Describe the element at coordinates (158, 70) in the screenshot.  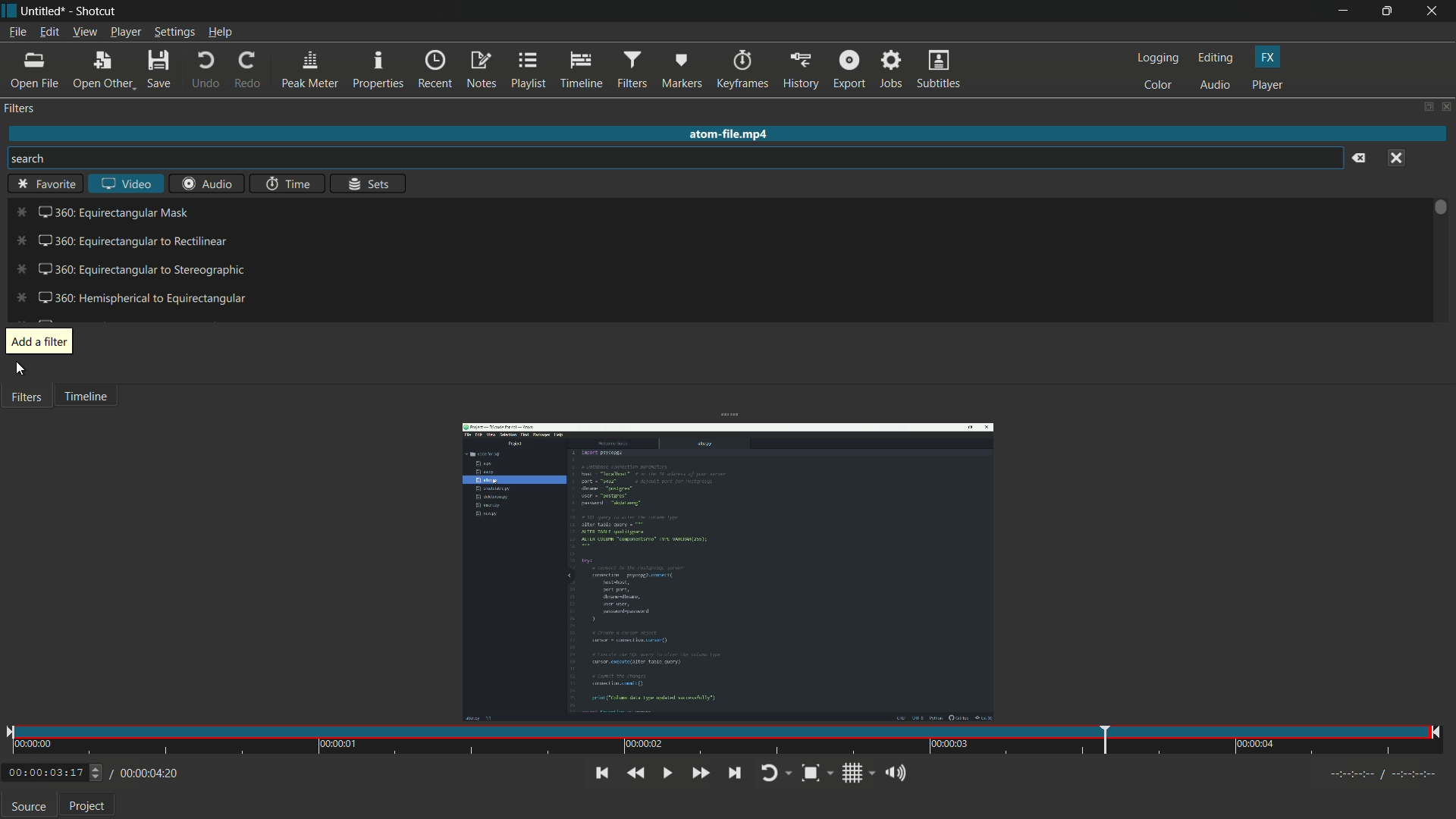
I see `save` at that location.